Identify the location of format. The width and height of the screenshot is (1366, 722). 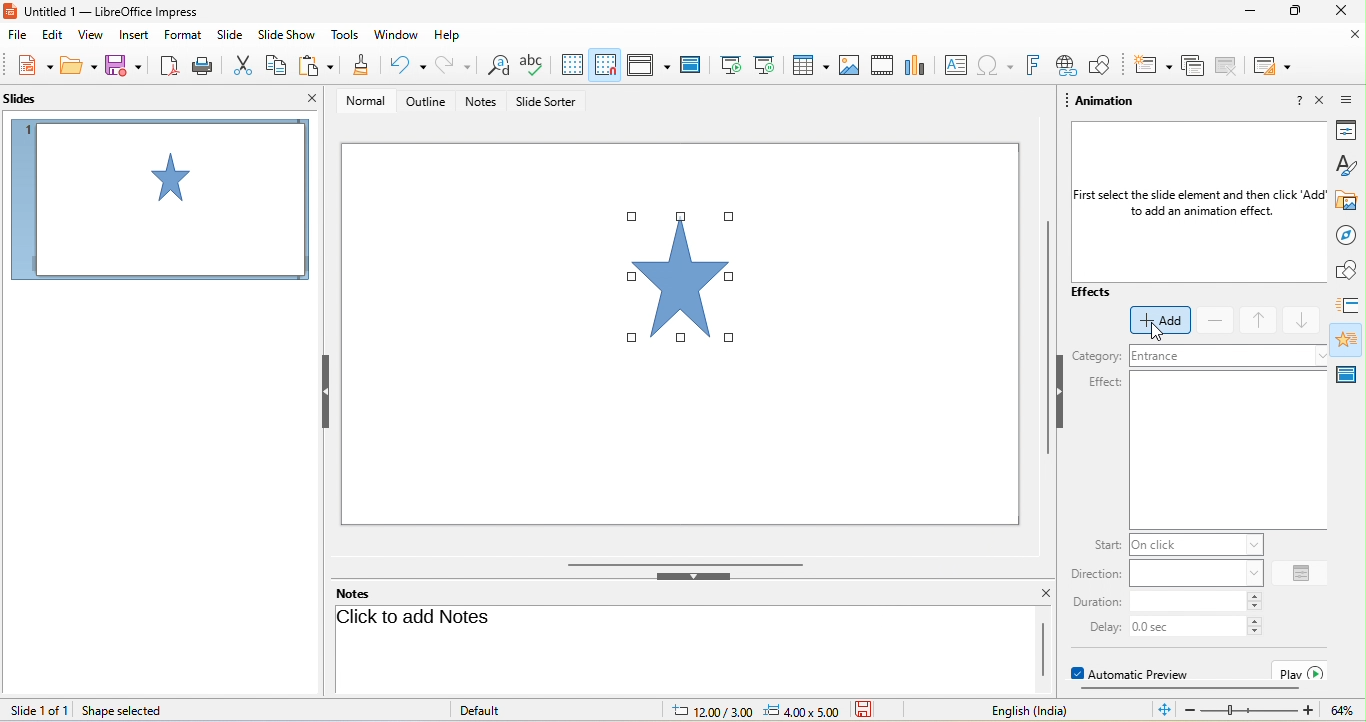
(183, 35).